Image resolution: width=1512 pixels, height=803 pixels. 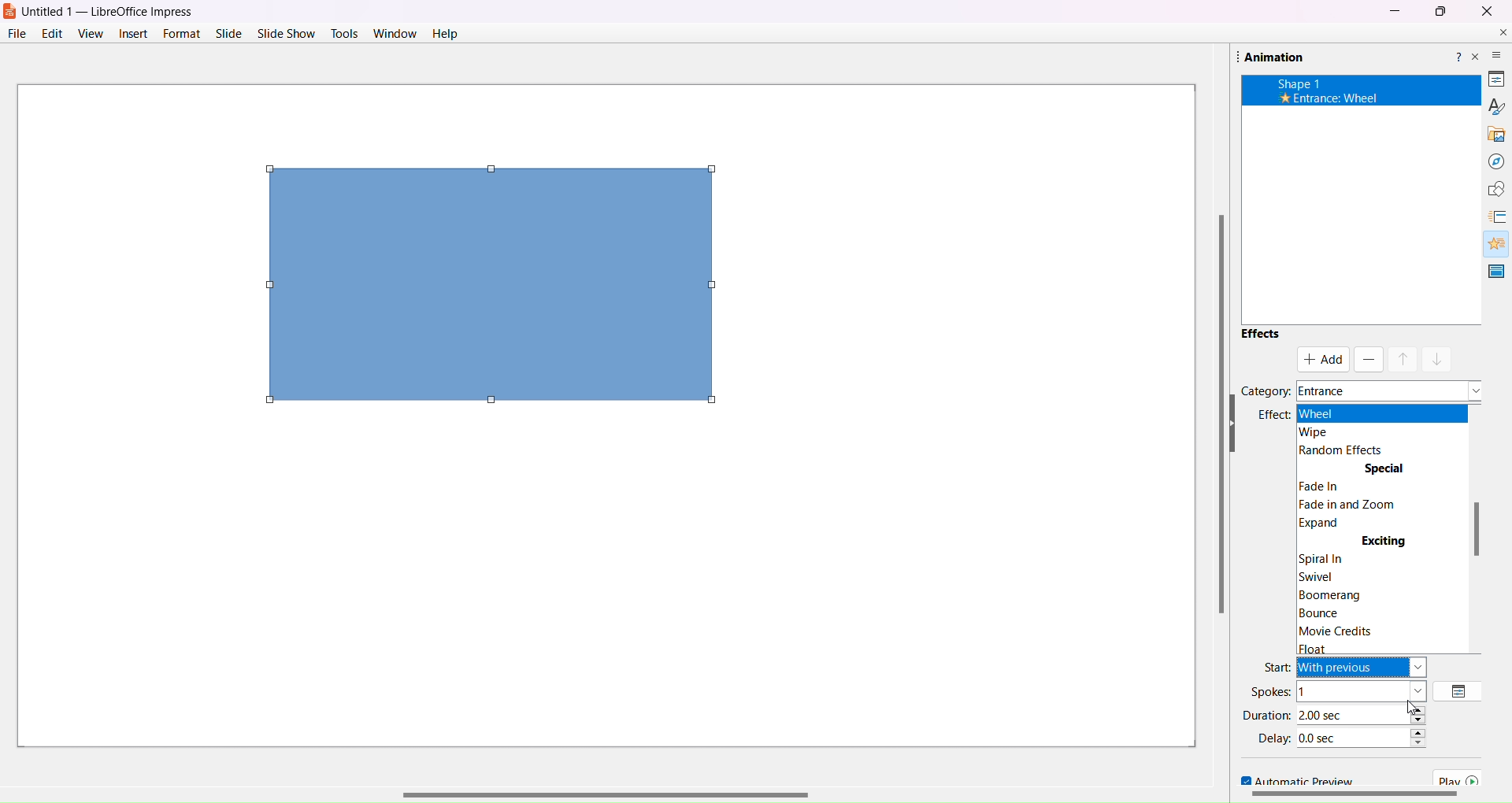 I want to click on File, so click(x=16, y=33).